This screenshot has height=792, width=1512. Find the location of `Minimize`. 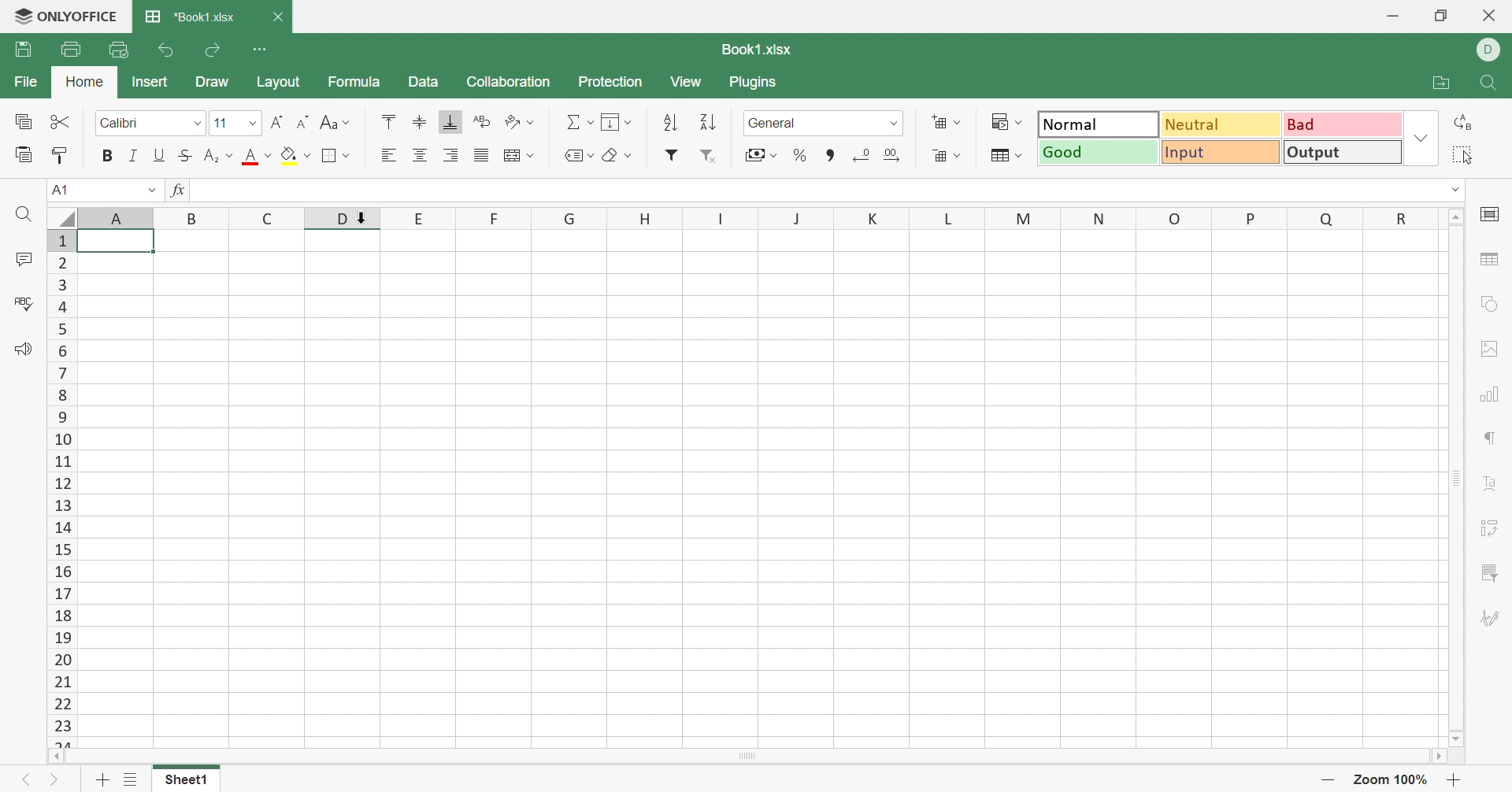

Minimize is located at coordinates (1389, 14).